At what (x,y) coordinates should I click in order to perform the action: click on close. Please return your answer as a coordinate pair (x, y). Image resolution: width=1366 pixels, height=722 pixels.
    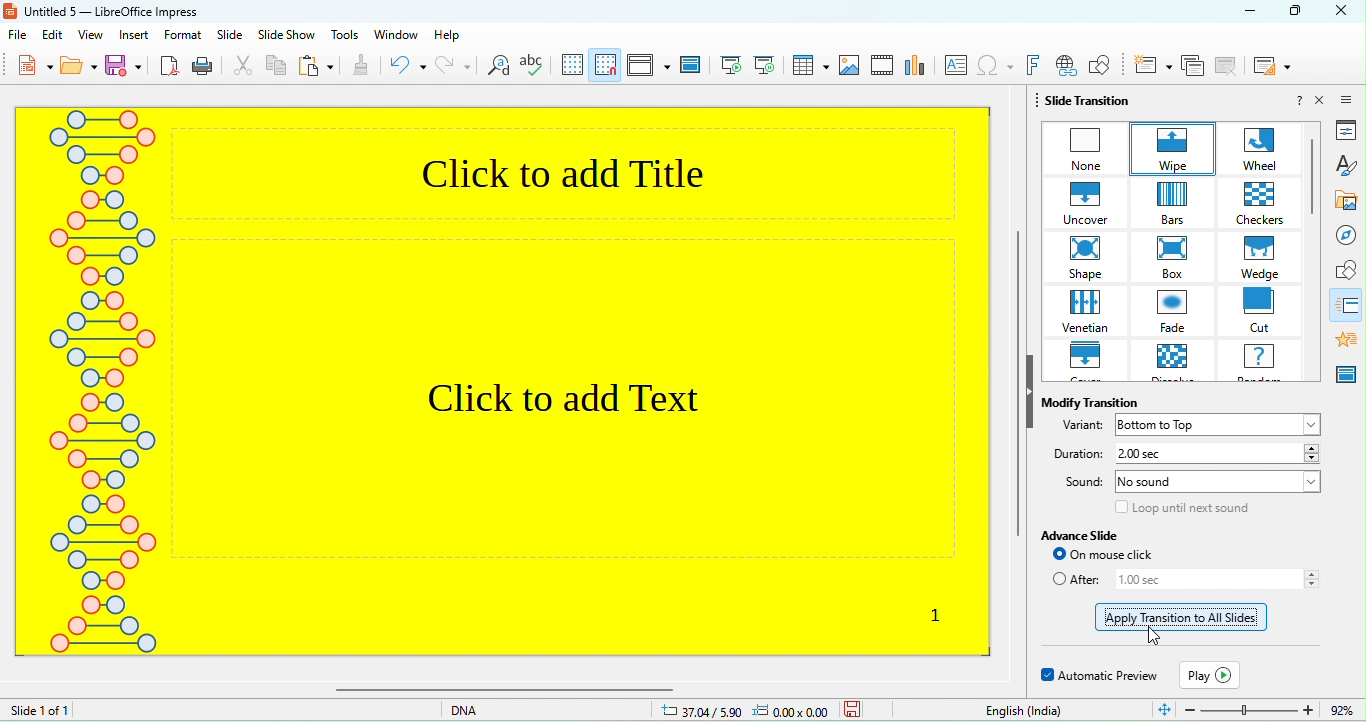
    Looking at the image, I should click on (1350, 10).